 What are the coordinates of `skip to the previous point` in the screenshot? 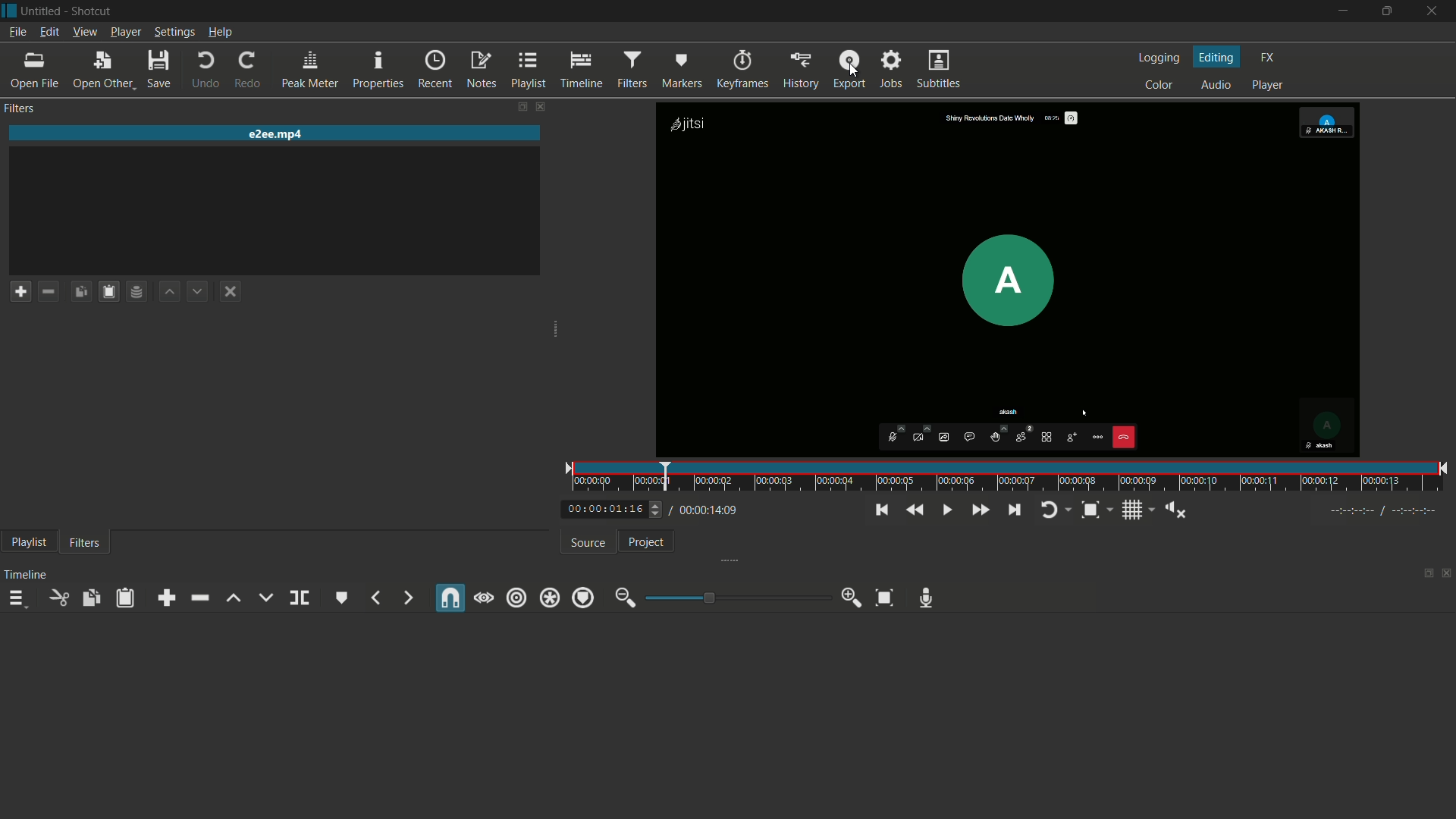 It's located at (880, 510).